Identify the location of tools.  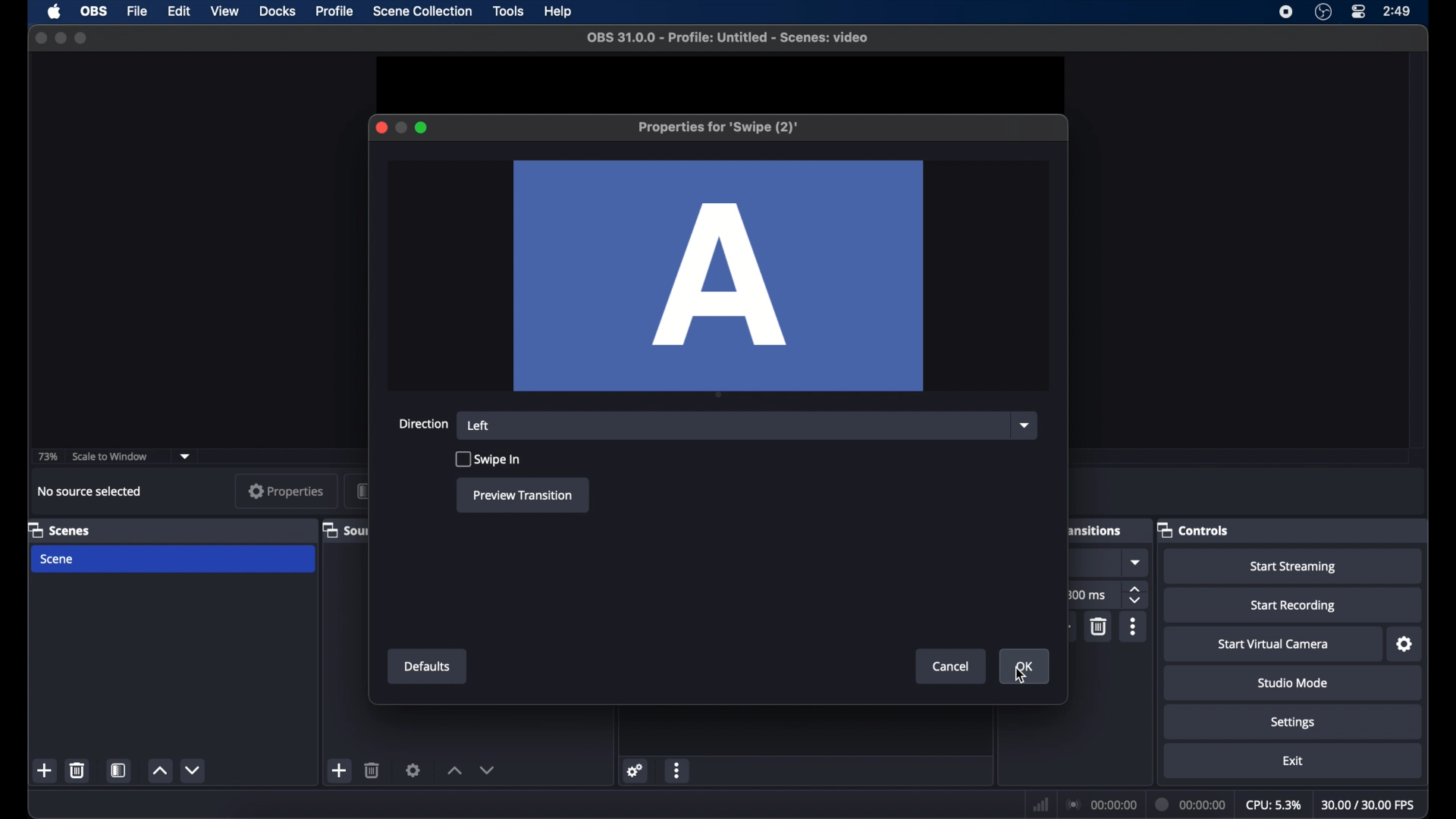
(509, 11).